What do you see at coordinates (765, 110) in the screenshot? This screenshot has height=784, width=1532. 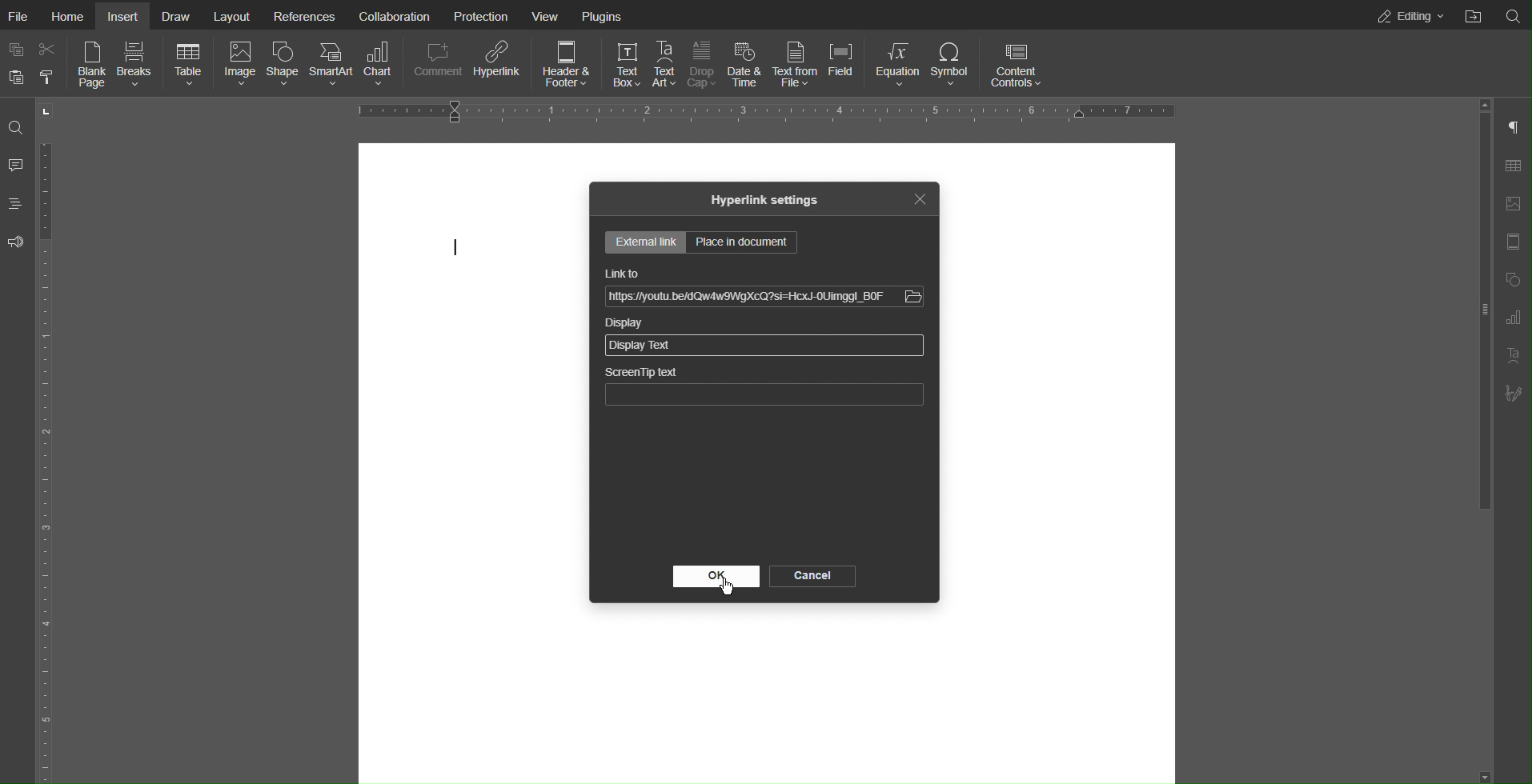 I see `Horizontal Ruler` at bounding box center [765, 110].